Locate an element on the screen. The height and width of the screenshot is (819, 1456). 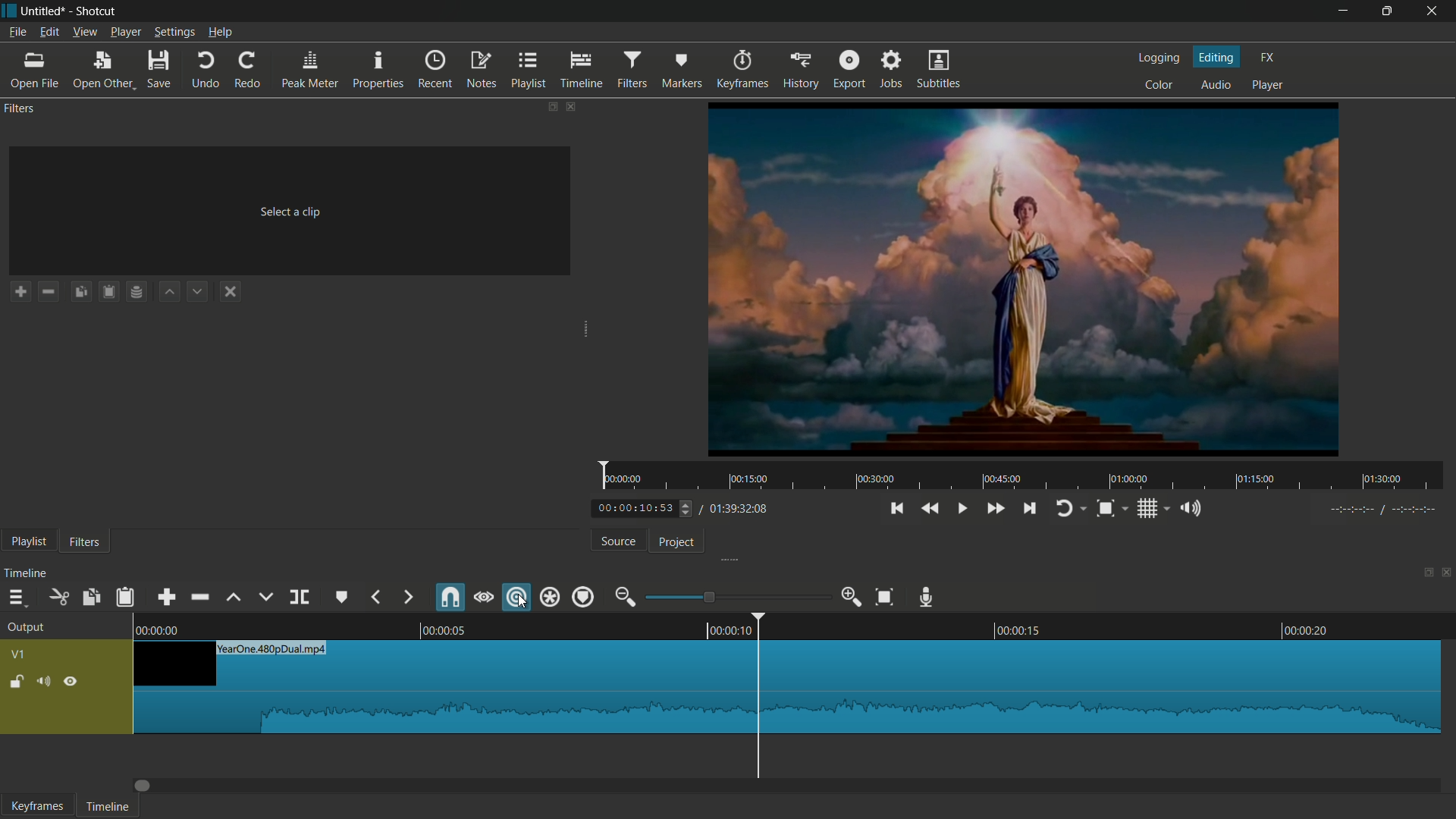
mute is located at coordinates (43, 683).